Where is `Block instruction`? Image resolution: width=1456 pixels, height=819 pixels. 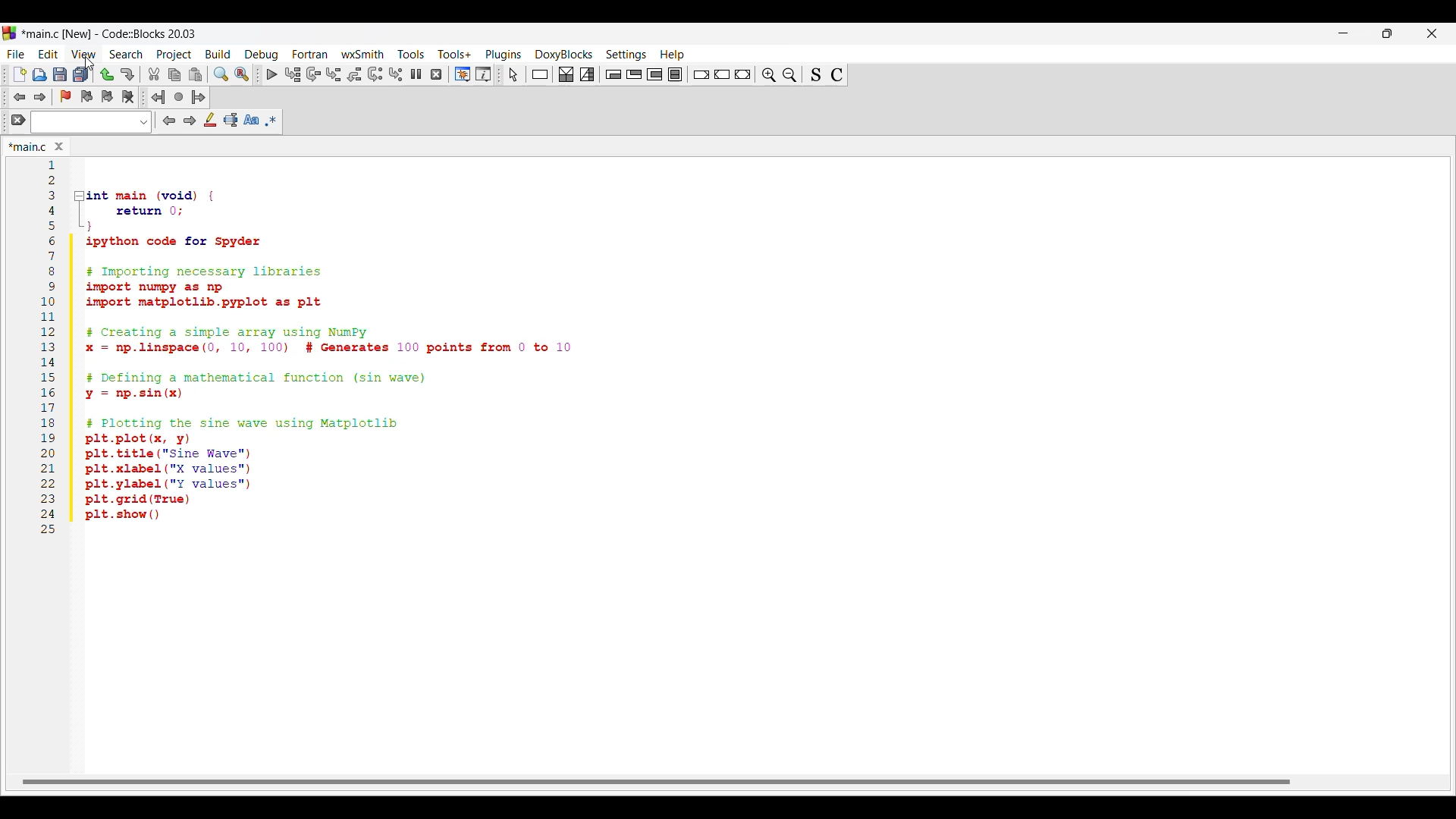
Block instruction is located at coordinates (675, 74).